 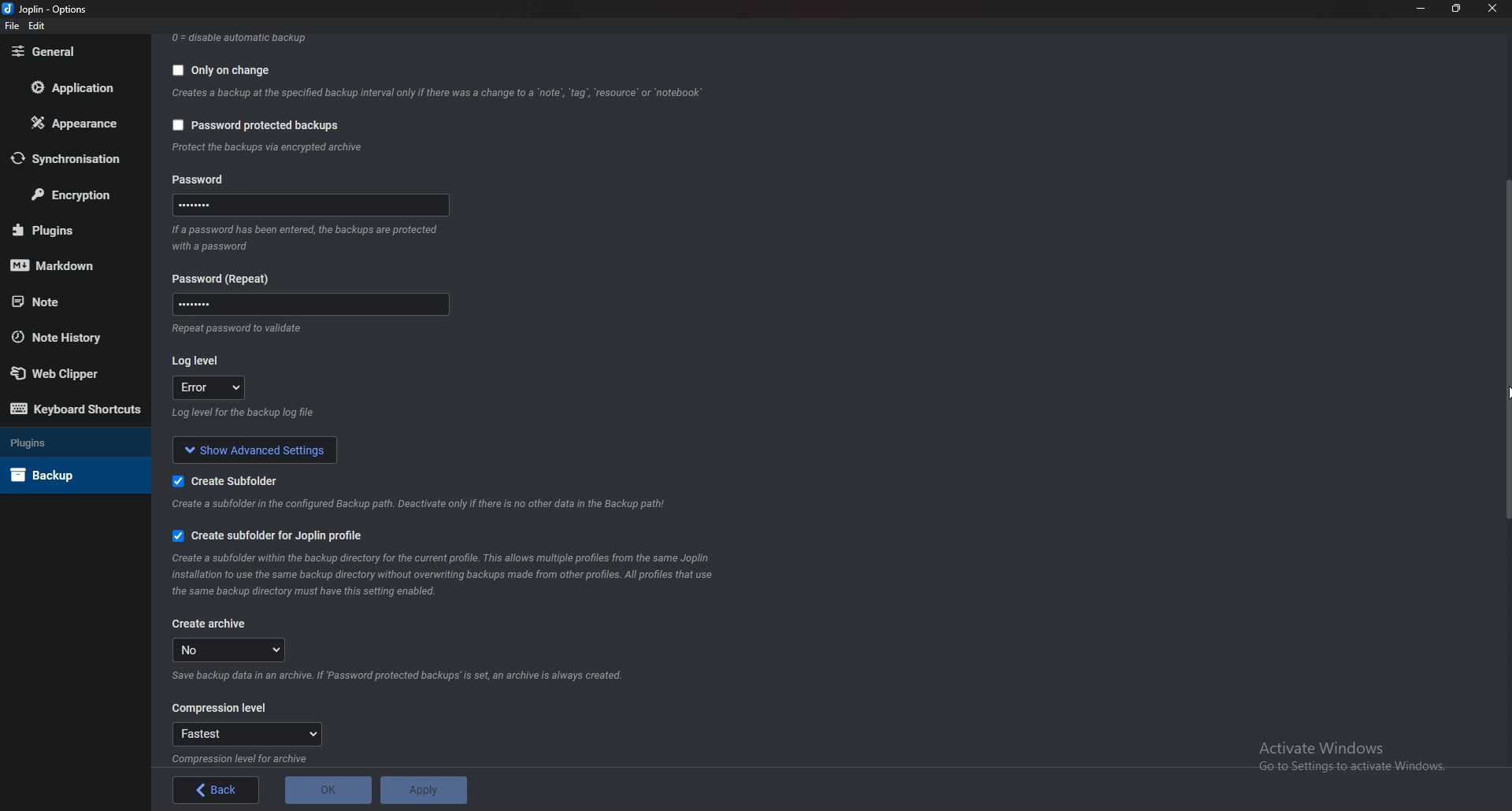 I want to click on scroll bar, so click(x=1506, y=352).